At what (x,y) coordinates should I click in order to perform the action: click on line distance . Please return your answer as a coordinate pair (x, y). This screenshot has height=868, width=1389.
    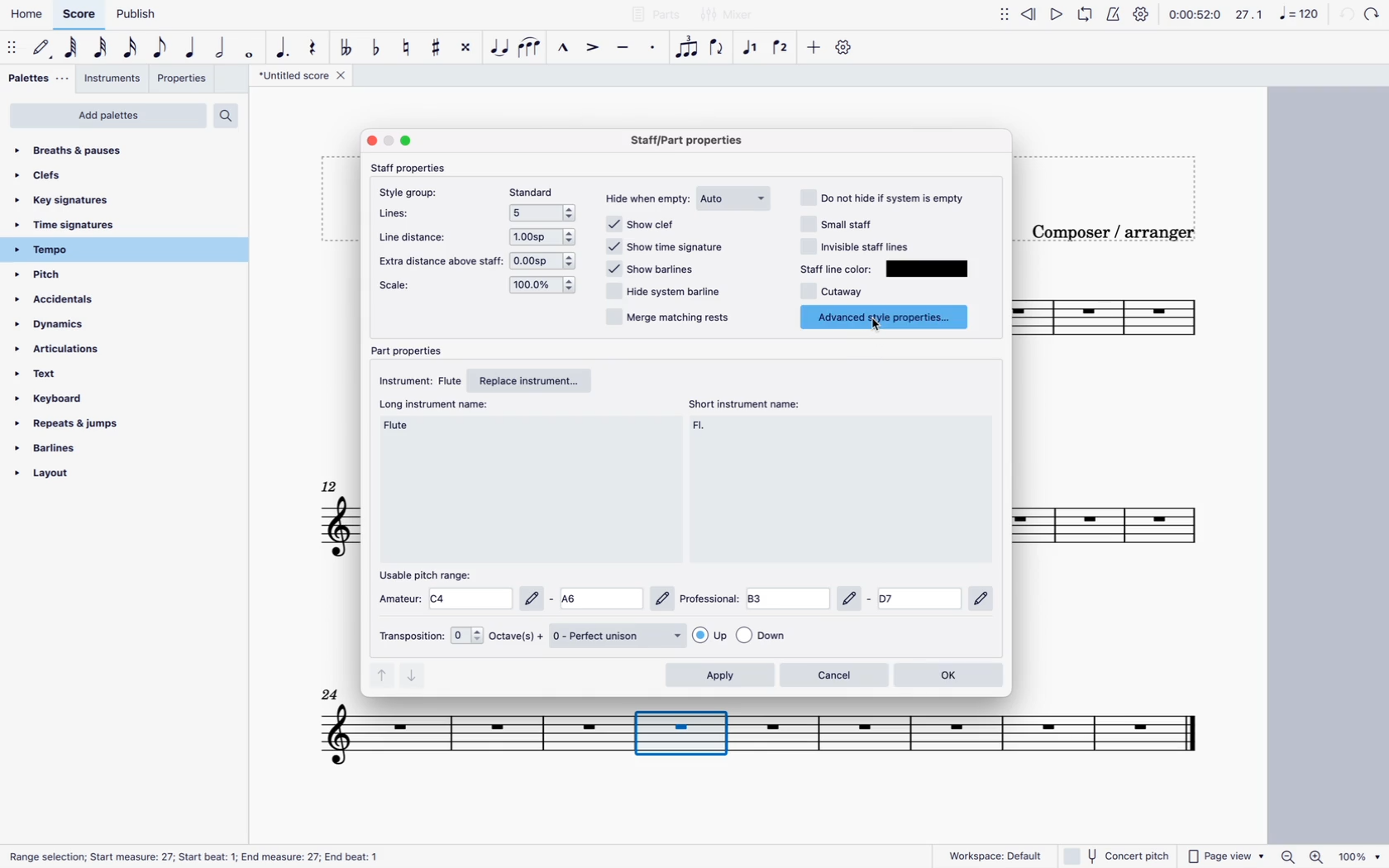
    Looking at the image, I should click on (418, 236).